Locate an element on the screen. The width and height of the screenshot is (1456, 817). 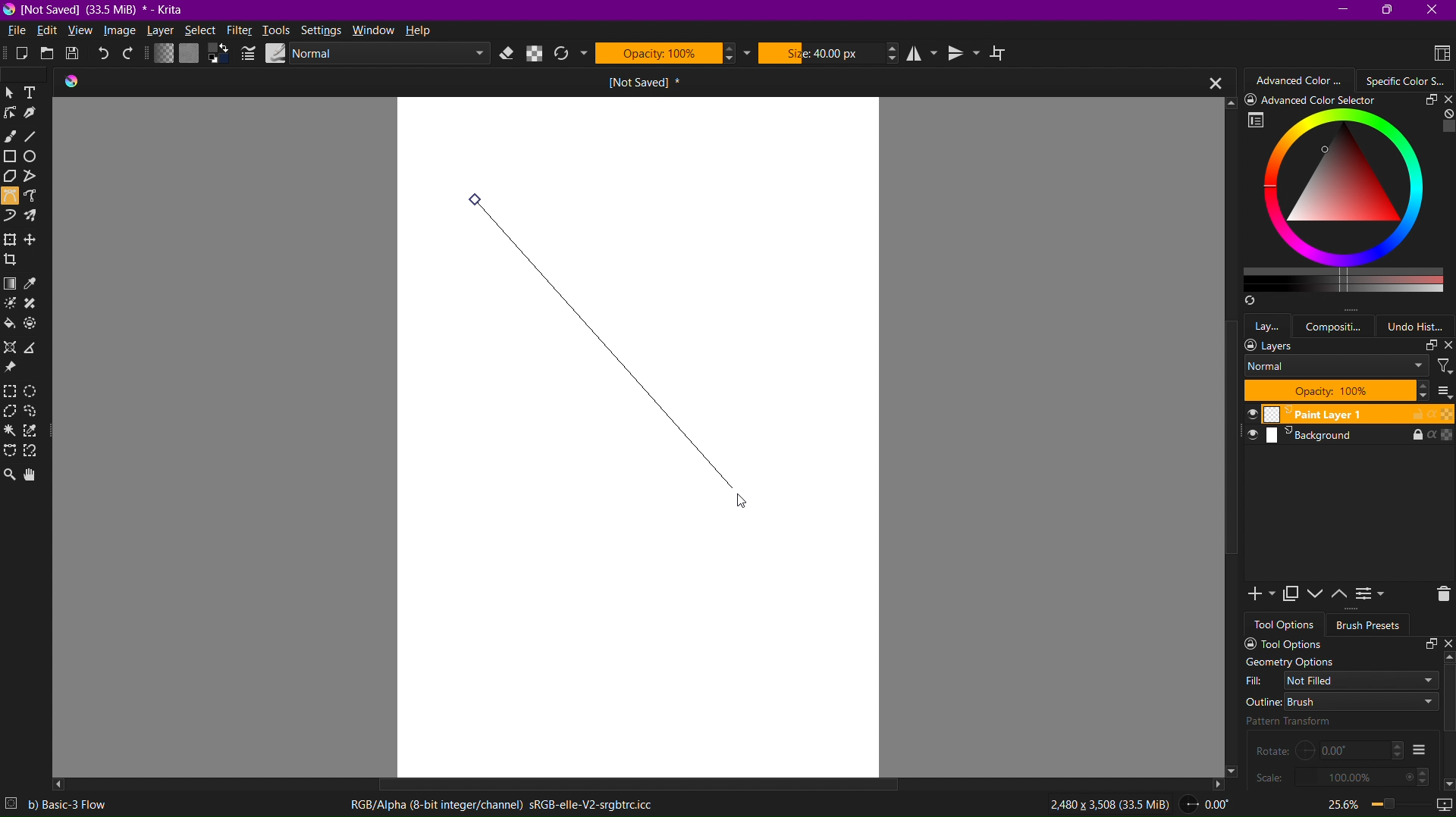
Save is located at coordinates (75, 55).